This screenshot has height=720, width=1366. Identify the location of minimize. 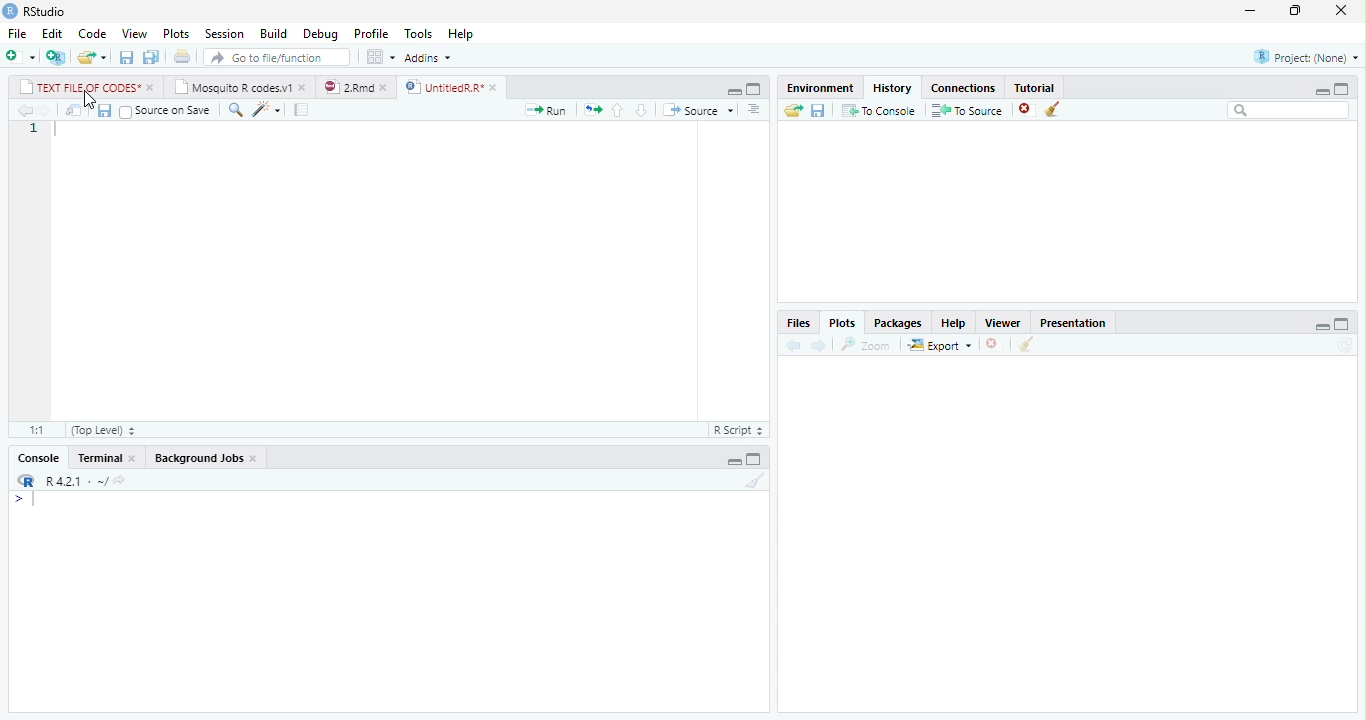
(734, 462).